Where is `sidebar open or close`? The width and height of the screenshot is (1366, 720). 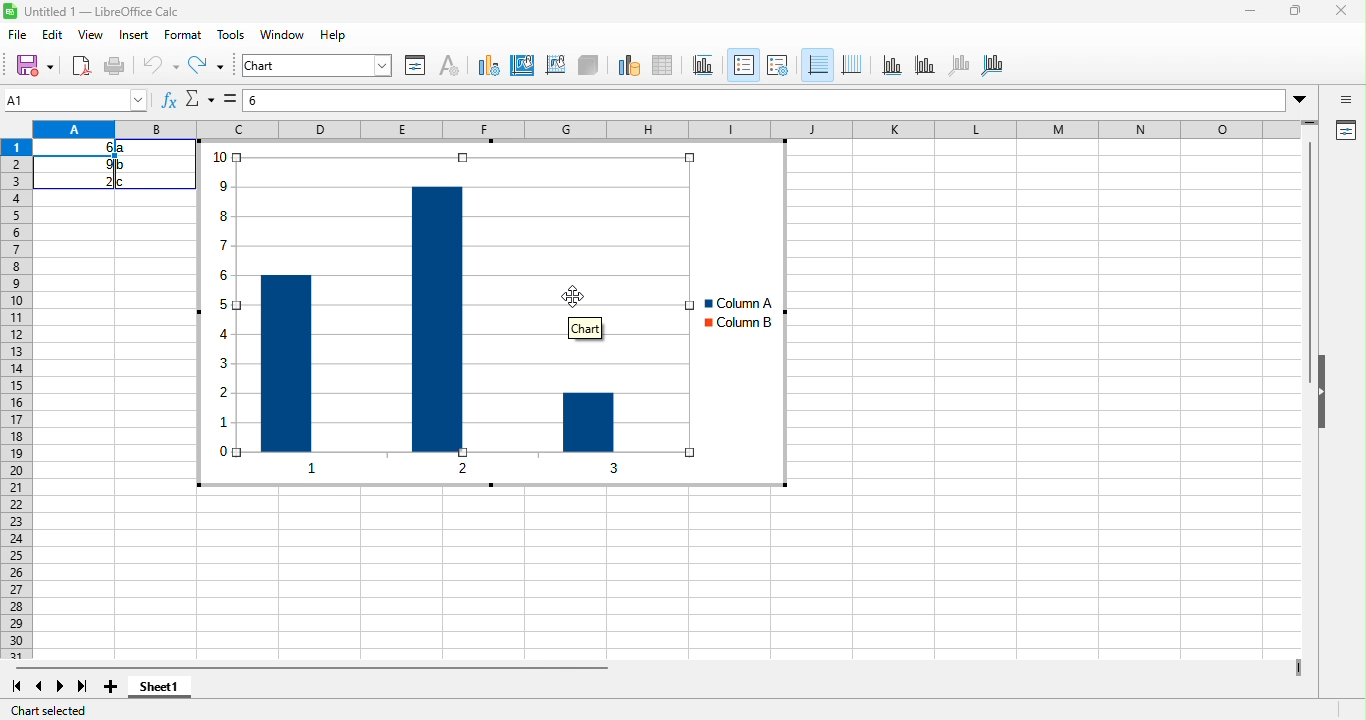 sidebar open or close is located at coordinates (1347, 101).